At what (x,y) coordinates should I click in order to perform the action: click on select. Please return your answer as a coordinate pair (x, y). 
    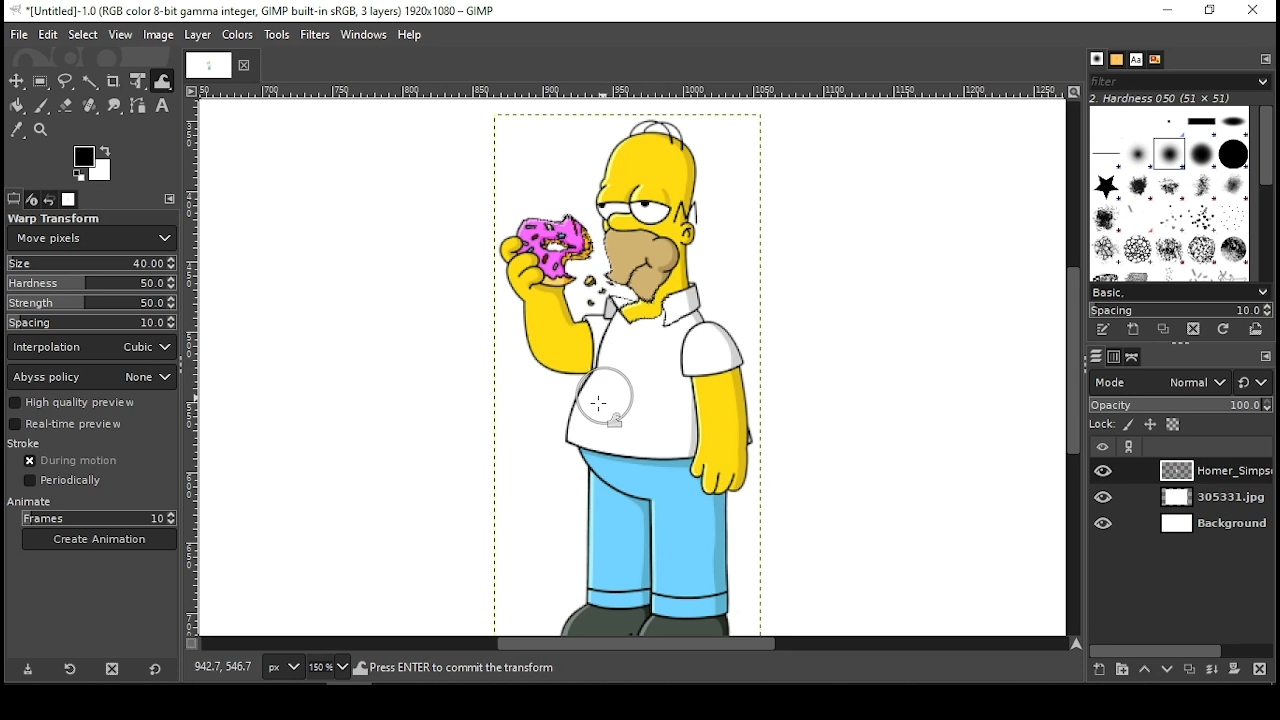
    Looking at the image, I should click on (84, 34).